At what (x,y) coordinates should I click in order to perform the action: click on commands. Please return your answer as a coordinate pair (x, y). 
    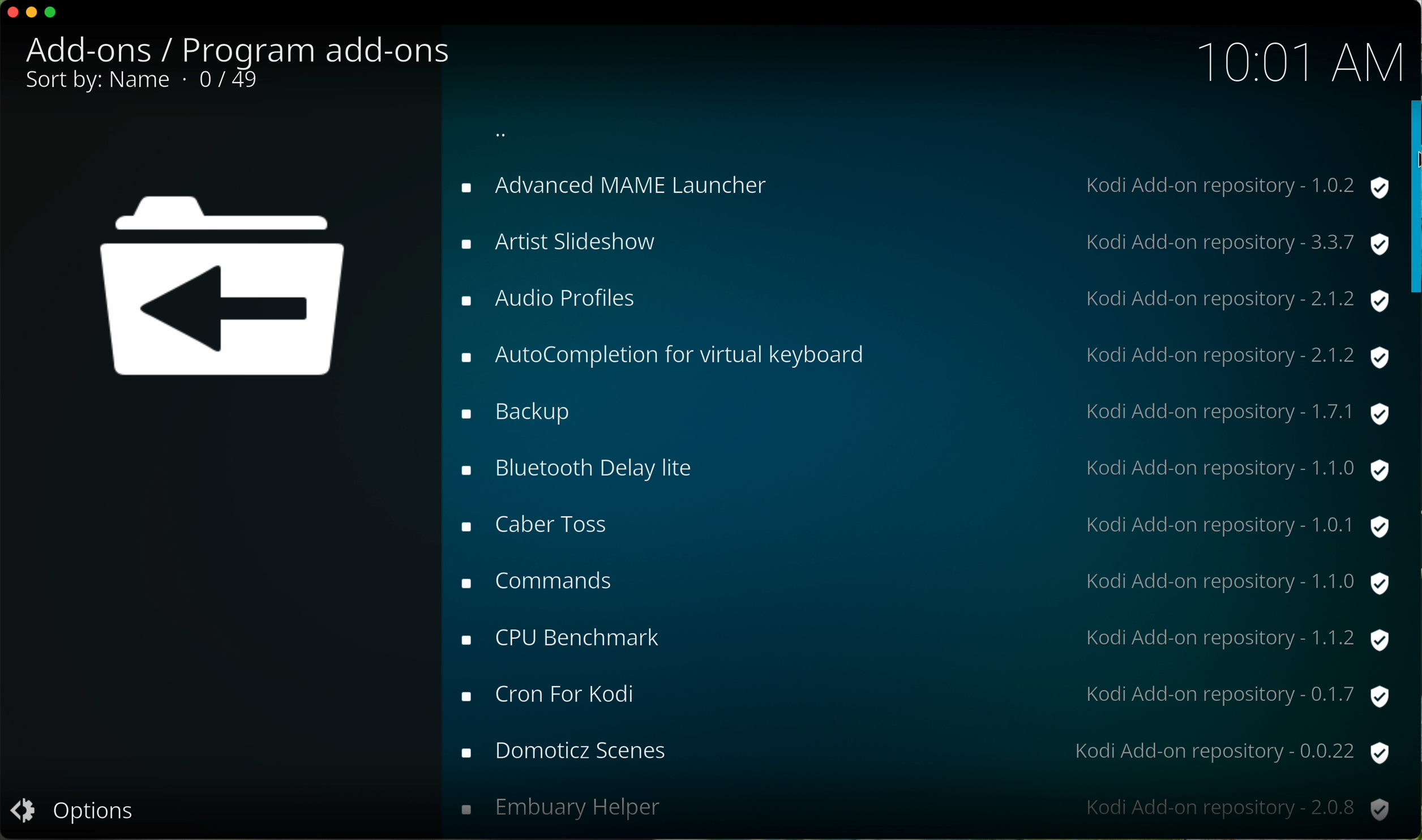
    Looking at the image, I should click on (919, 580).